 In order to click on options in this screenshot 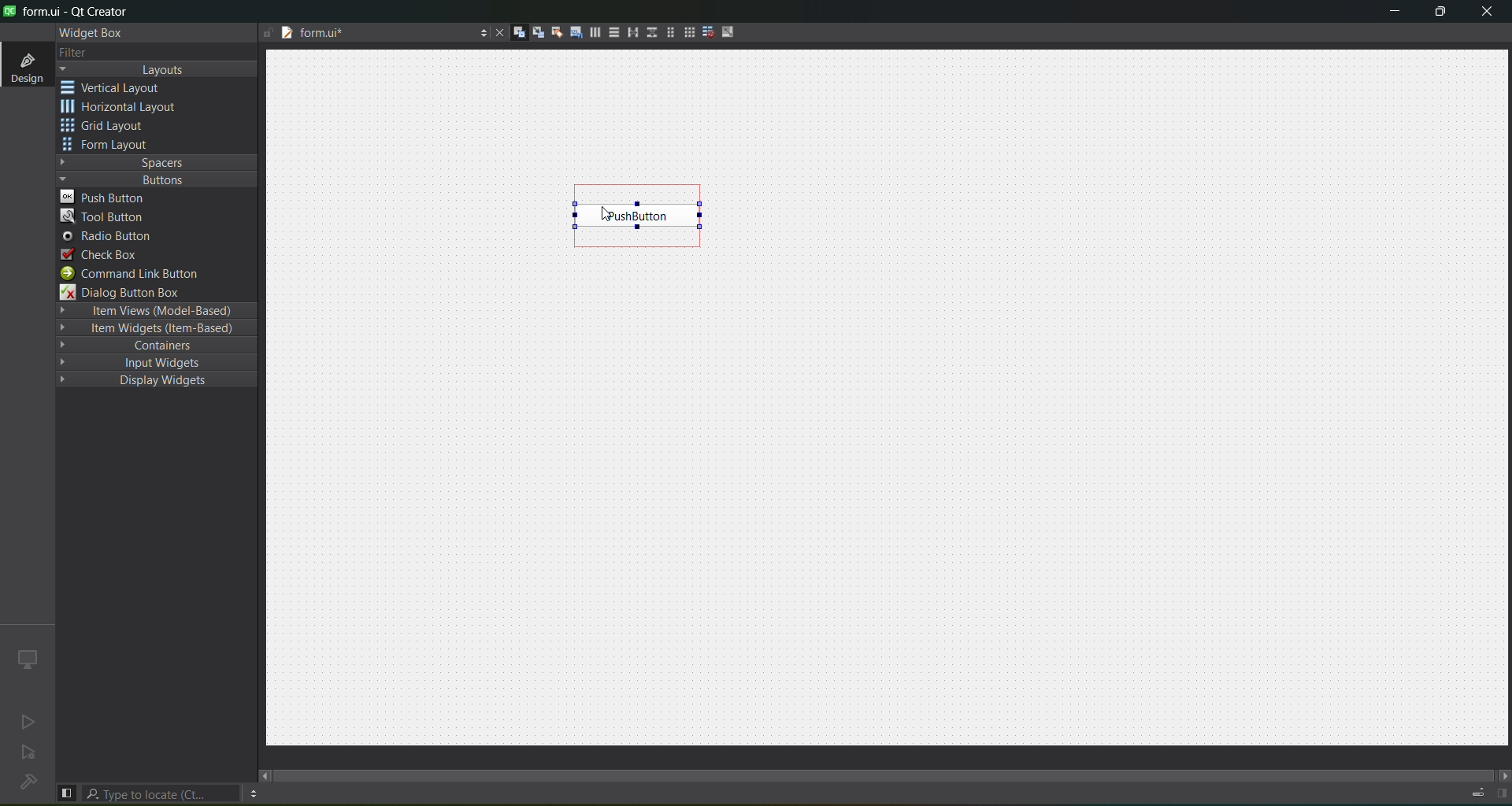, I will do `click(253, 793)`.